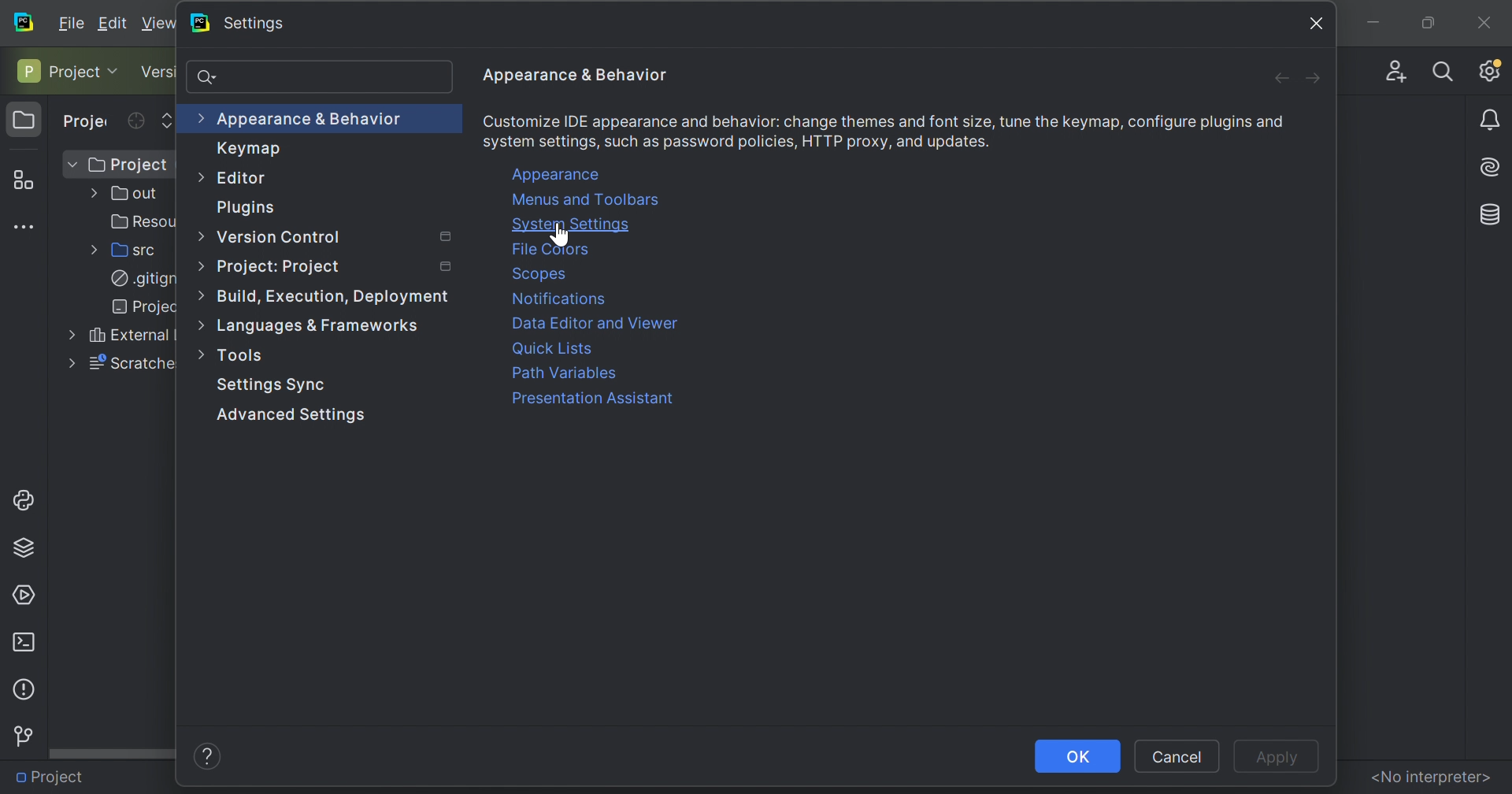 Image resolution: width=1512 pixels, height=794 pixels. Describe the element at coordinates (22, 736) in the screenshot. I see `Version control` at that location.